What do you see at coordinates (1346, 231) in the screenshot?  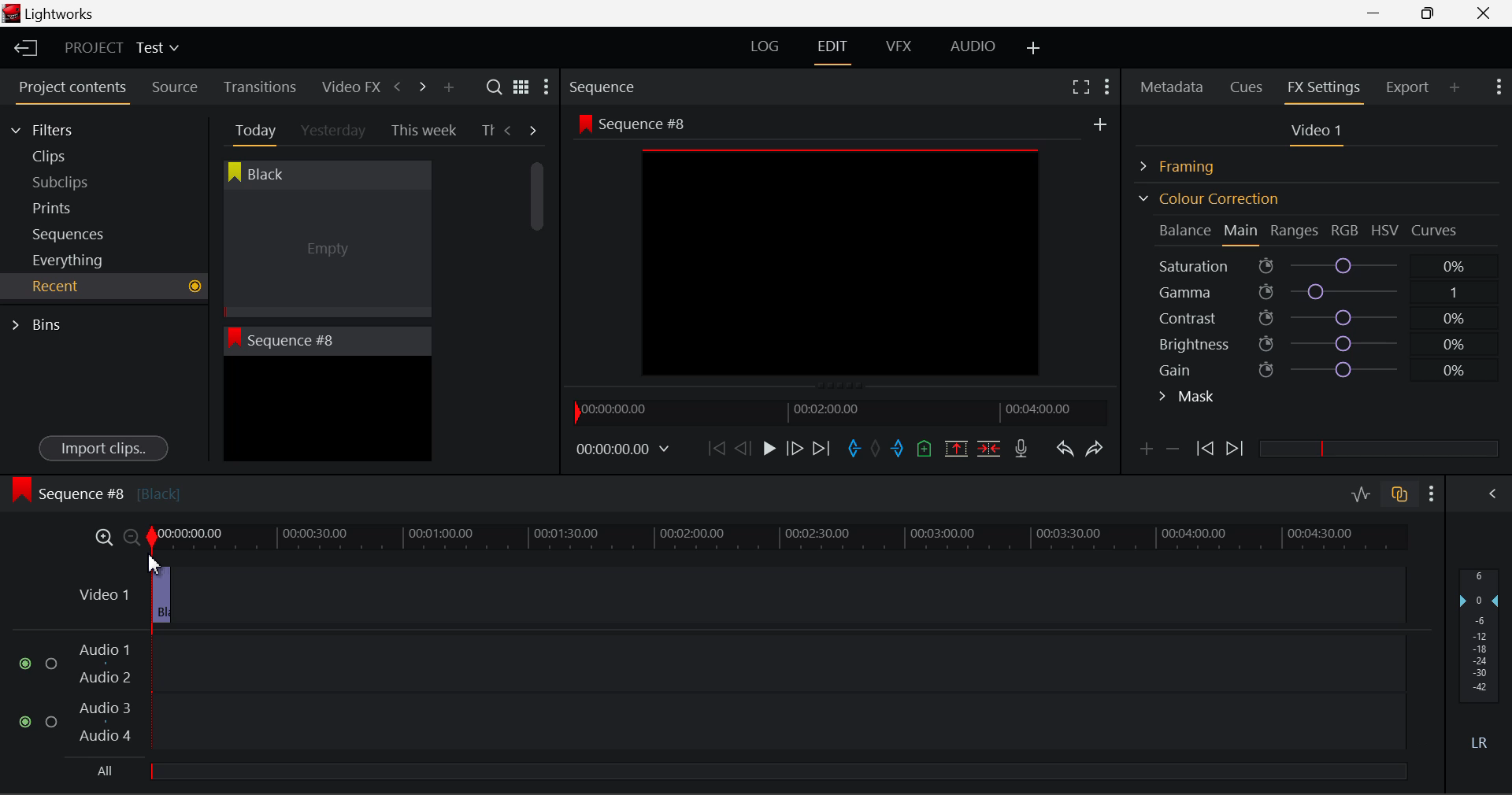 I see `RGB` at bounding box center [1346, 231].